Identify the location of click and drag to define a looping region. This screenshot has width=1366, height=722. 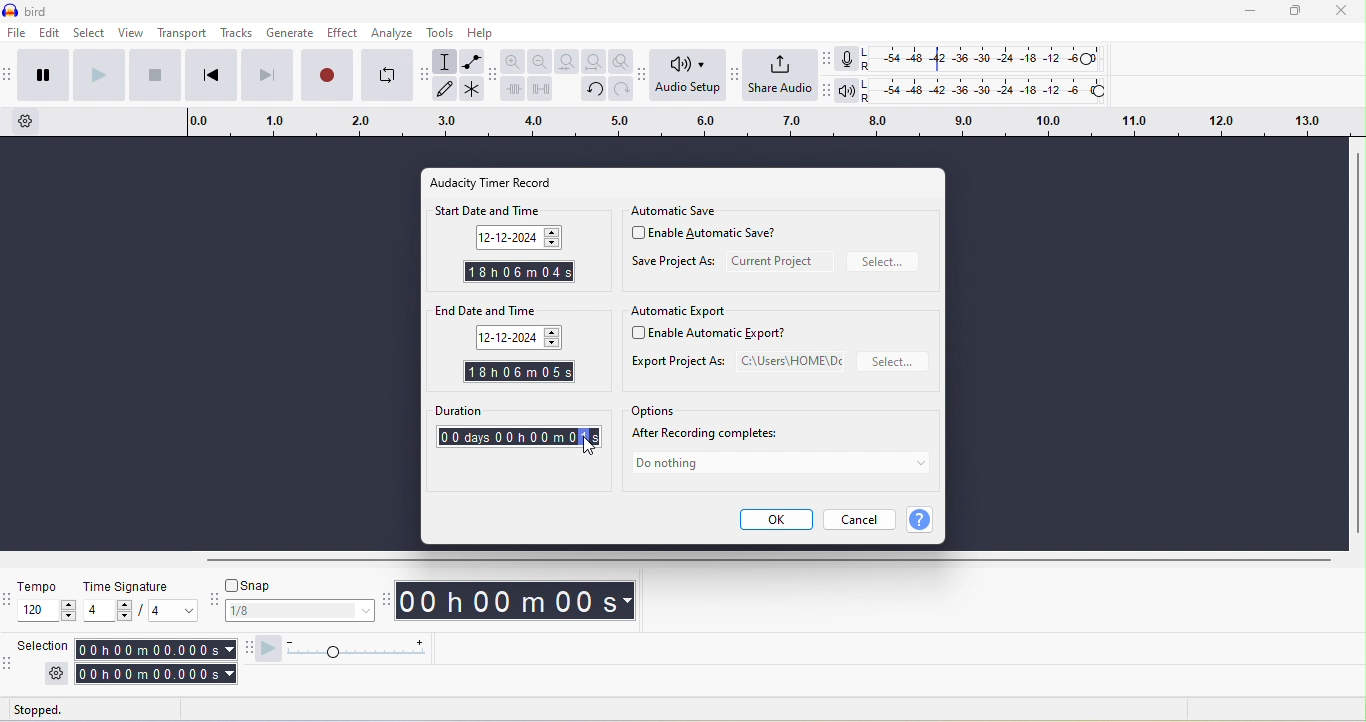
(759, 124).